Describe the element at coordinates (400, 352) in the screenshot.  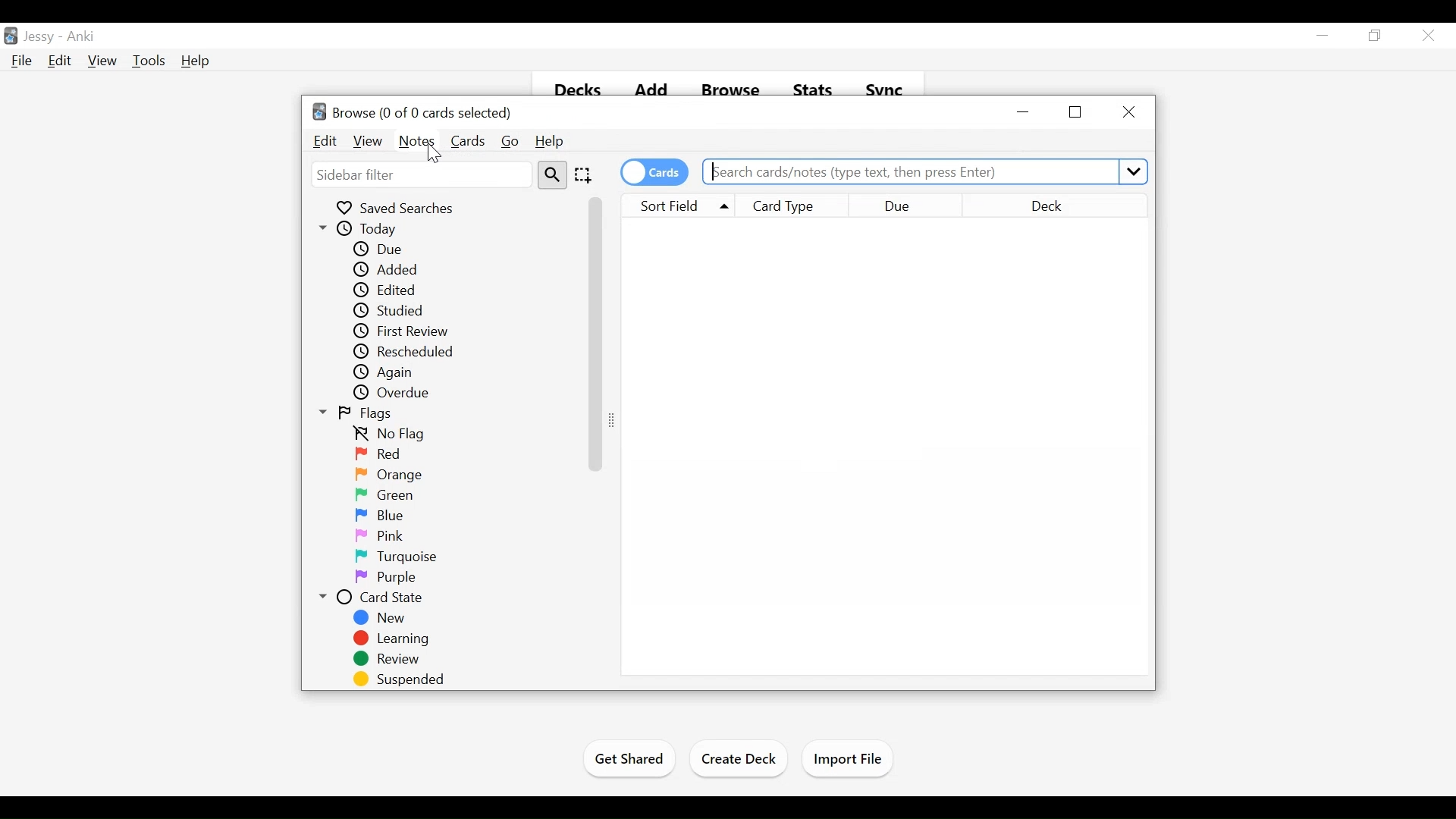
I see `Rescheduled` at that location.